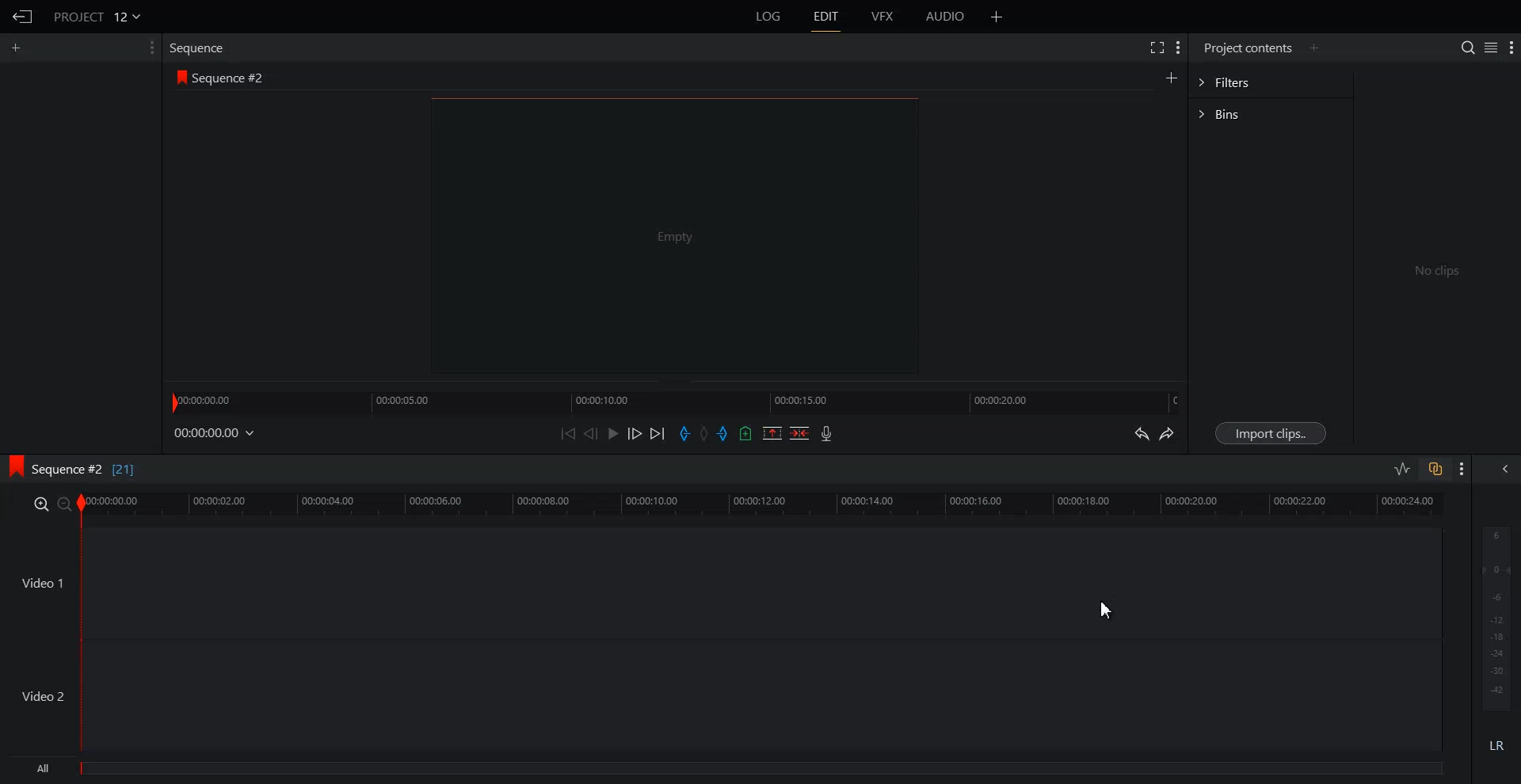 The width and height of the screenshot is (1521, 784). I want to click on VFX, so click(883, 17).